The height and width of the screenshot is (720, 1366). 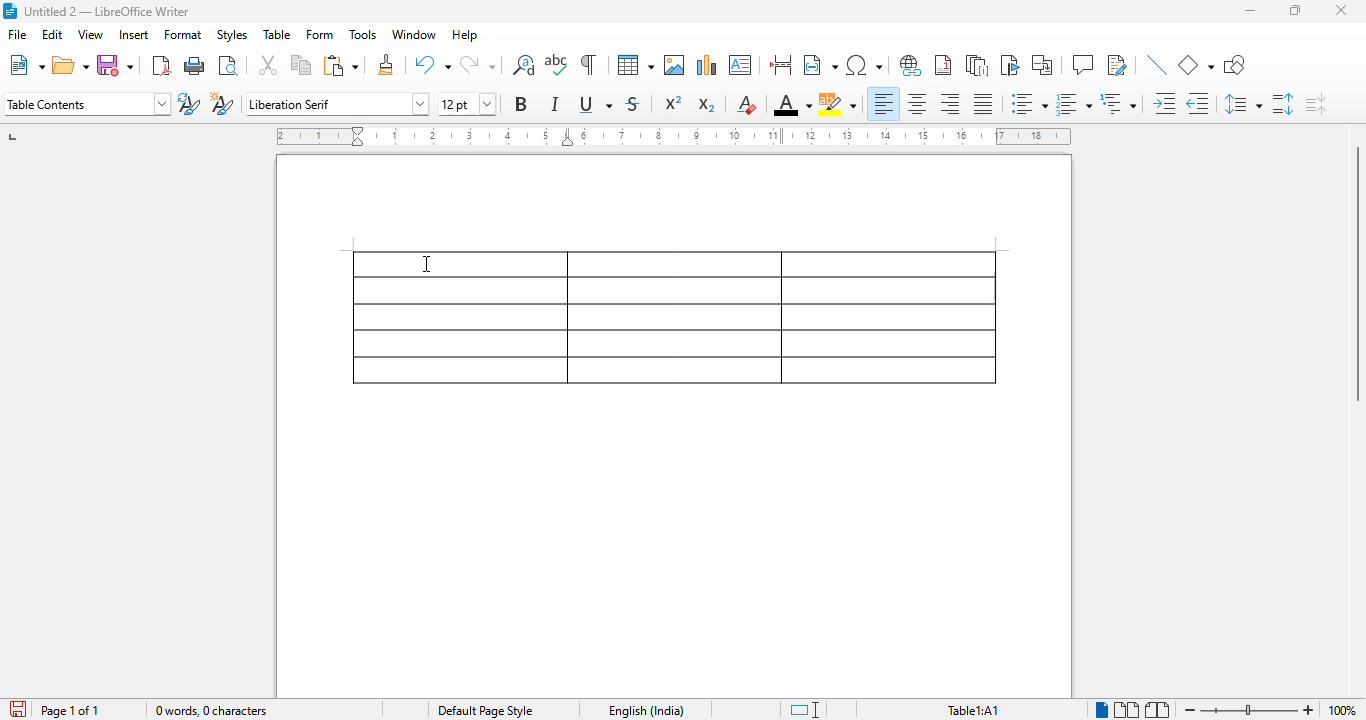 What do you see at coordinates (229, 66) in the screenshot?
I see `toggle print preview` at bounding box center [229, 66].